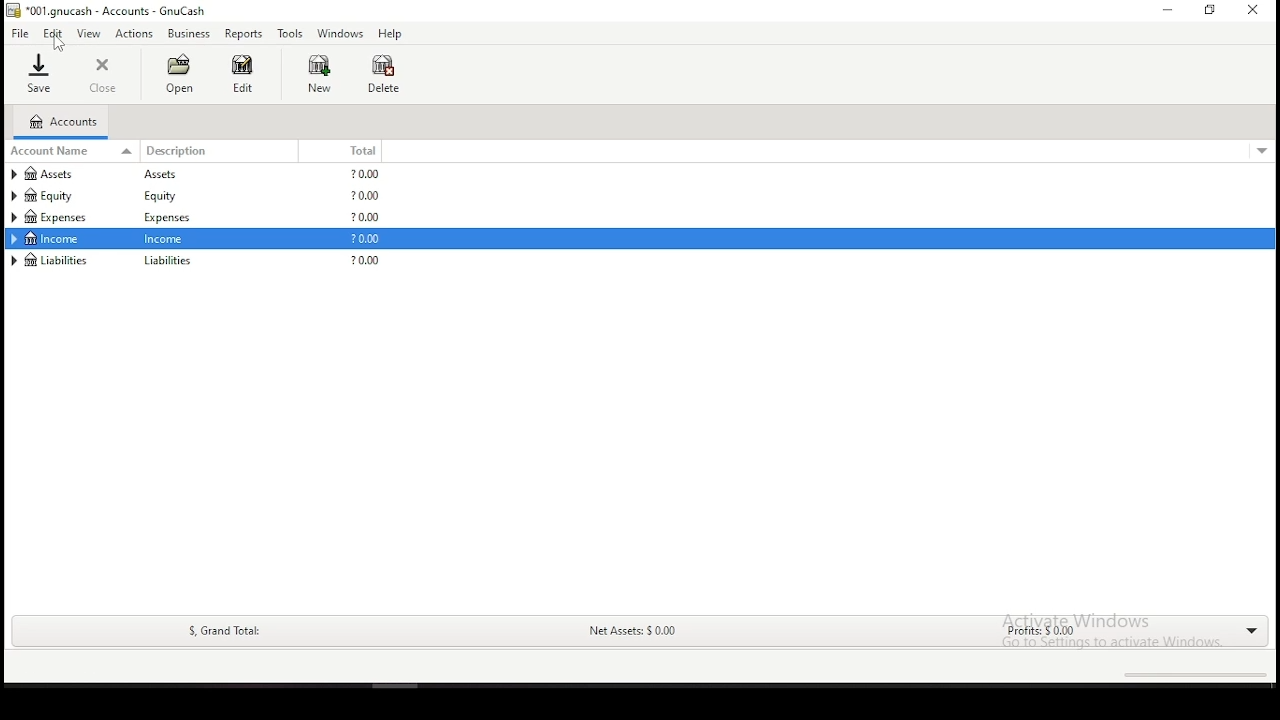 The height and width of the screenshot is (720, 1280). I want to click on edit, so click(242, 73).